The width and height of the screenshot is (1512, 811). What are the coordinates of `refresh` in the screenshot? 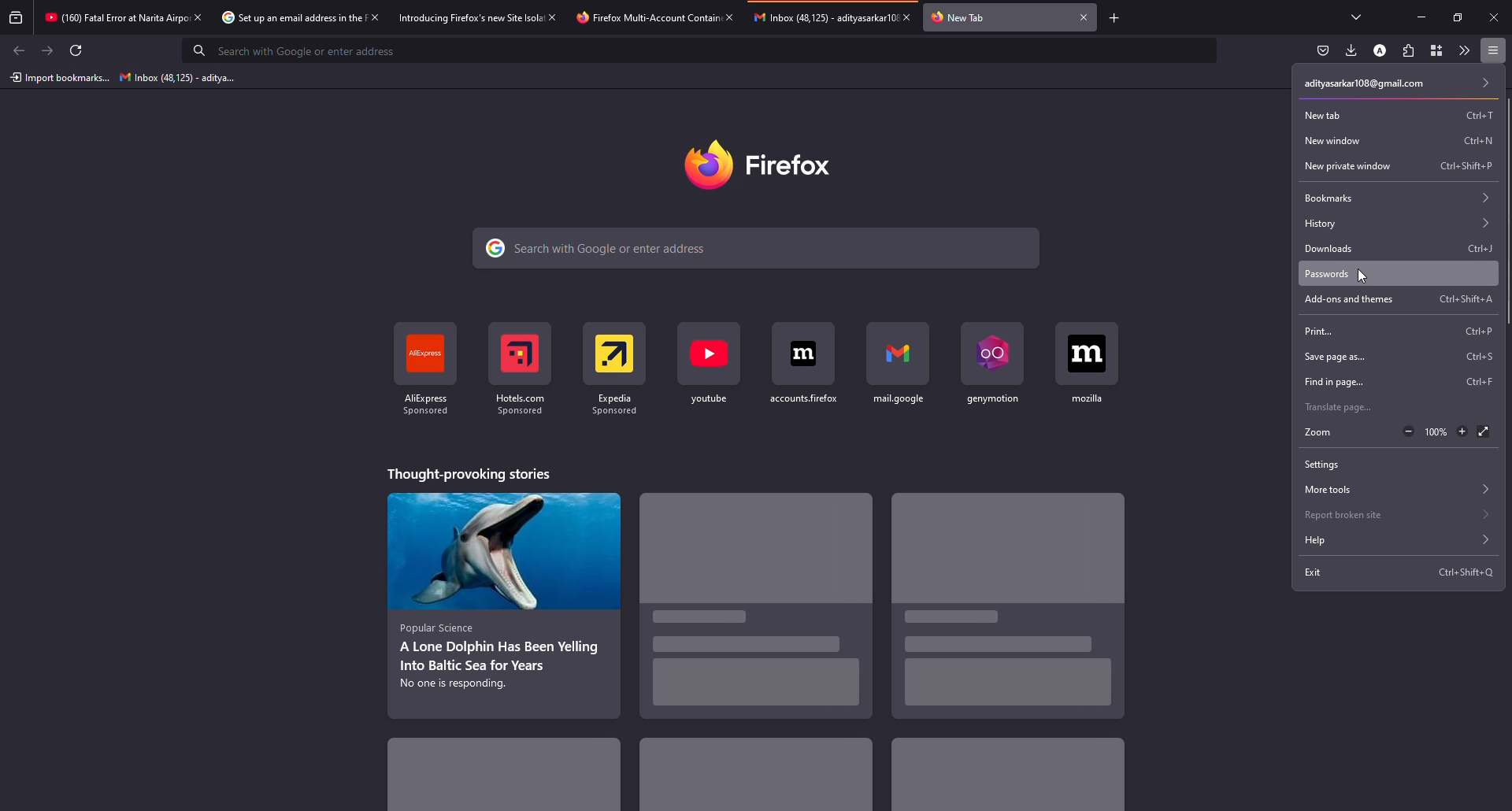 It's located at (77, 50).